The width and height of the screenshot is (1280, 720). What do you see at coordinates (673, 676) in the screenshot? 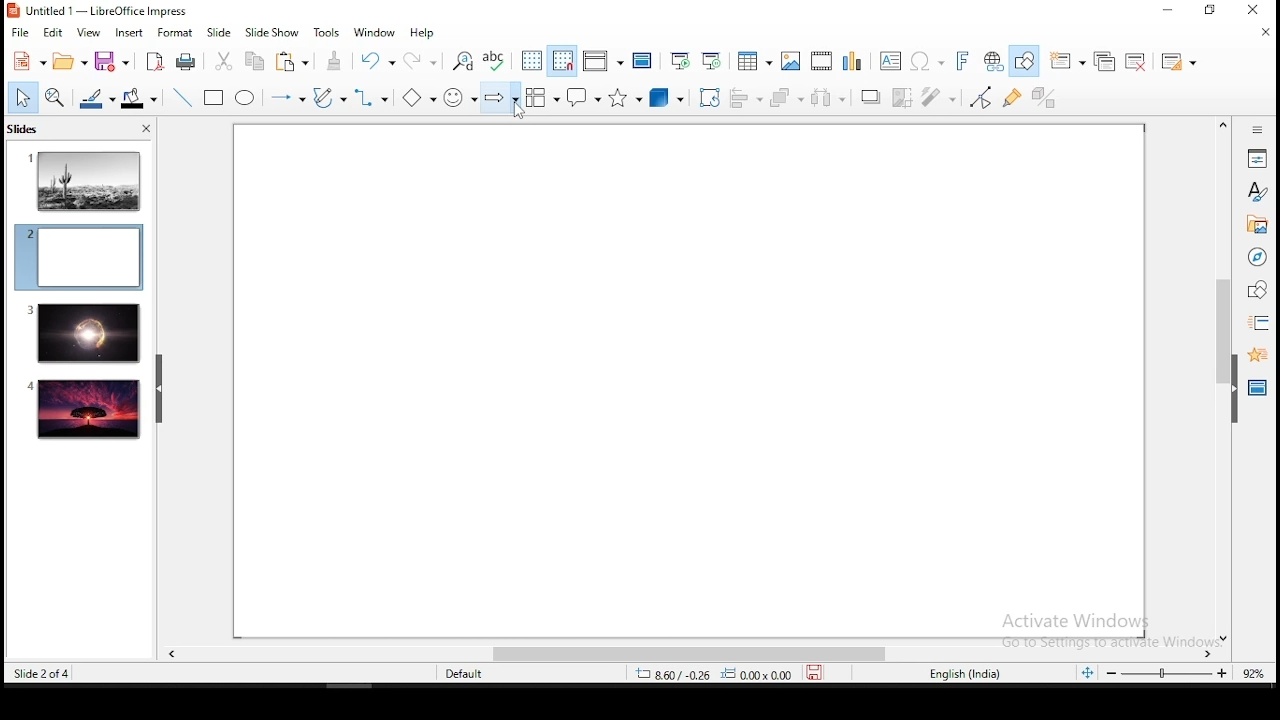
I see `8.60/-0.26` at bounding box center [673, 676].